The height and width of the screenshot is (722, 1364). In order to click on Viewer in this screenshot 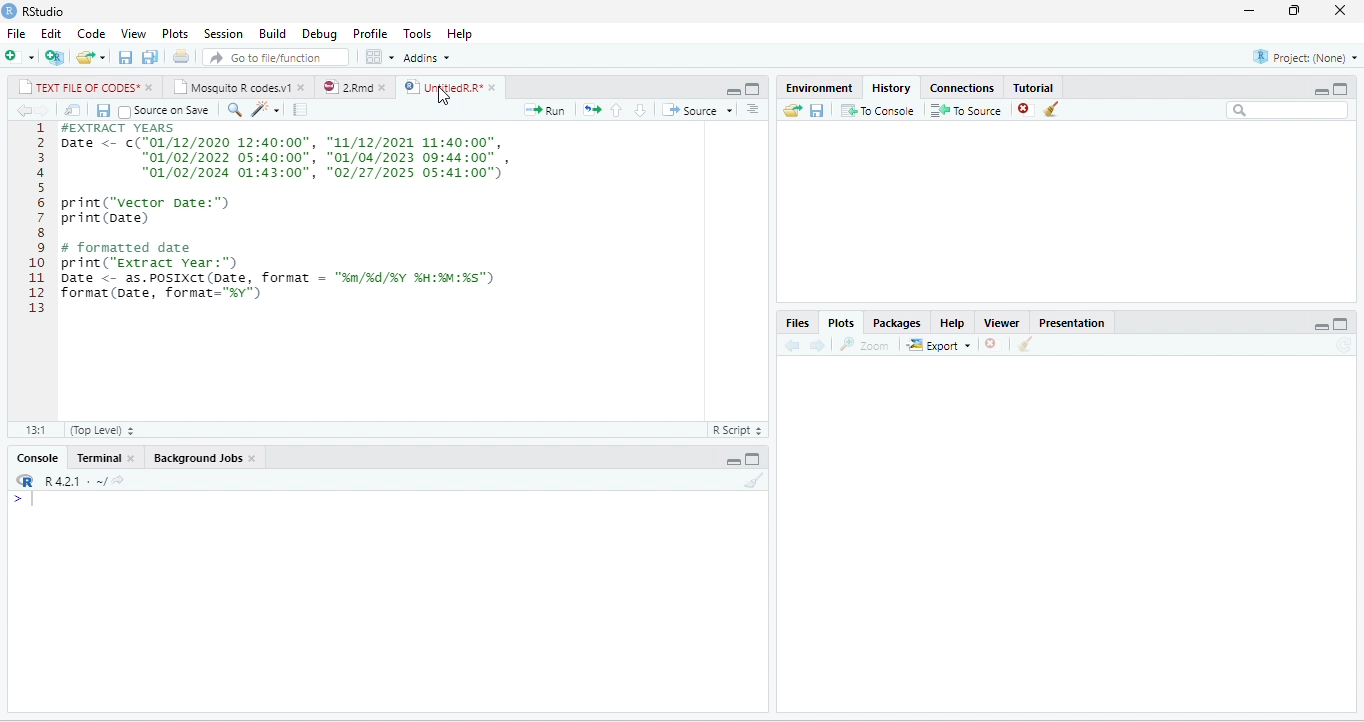, I will do `click(1001, 323)`.